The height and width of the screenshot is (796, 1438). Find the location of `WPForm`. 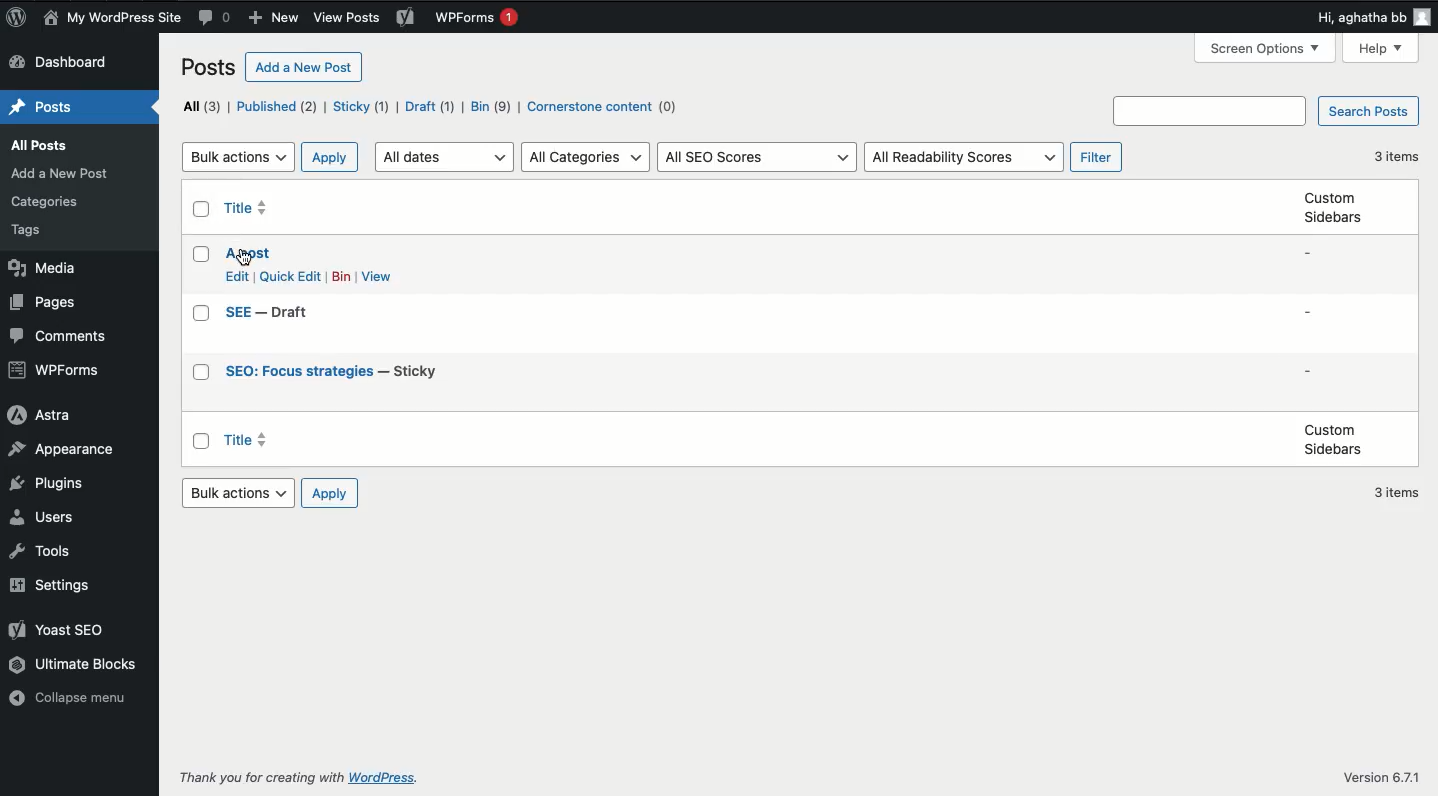

WPForm is located at coordinates (52, 370).